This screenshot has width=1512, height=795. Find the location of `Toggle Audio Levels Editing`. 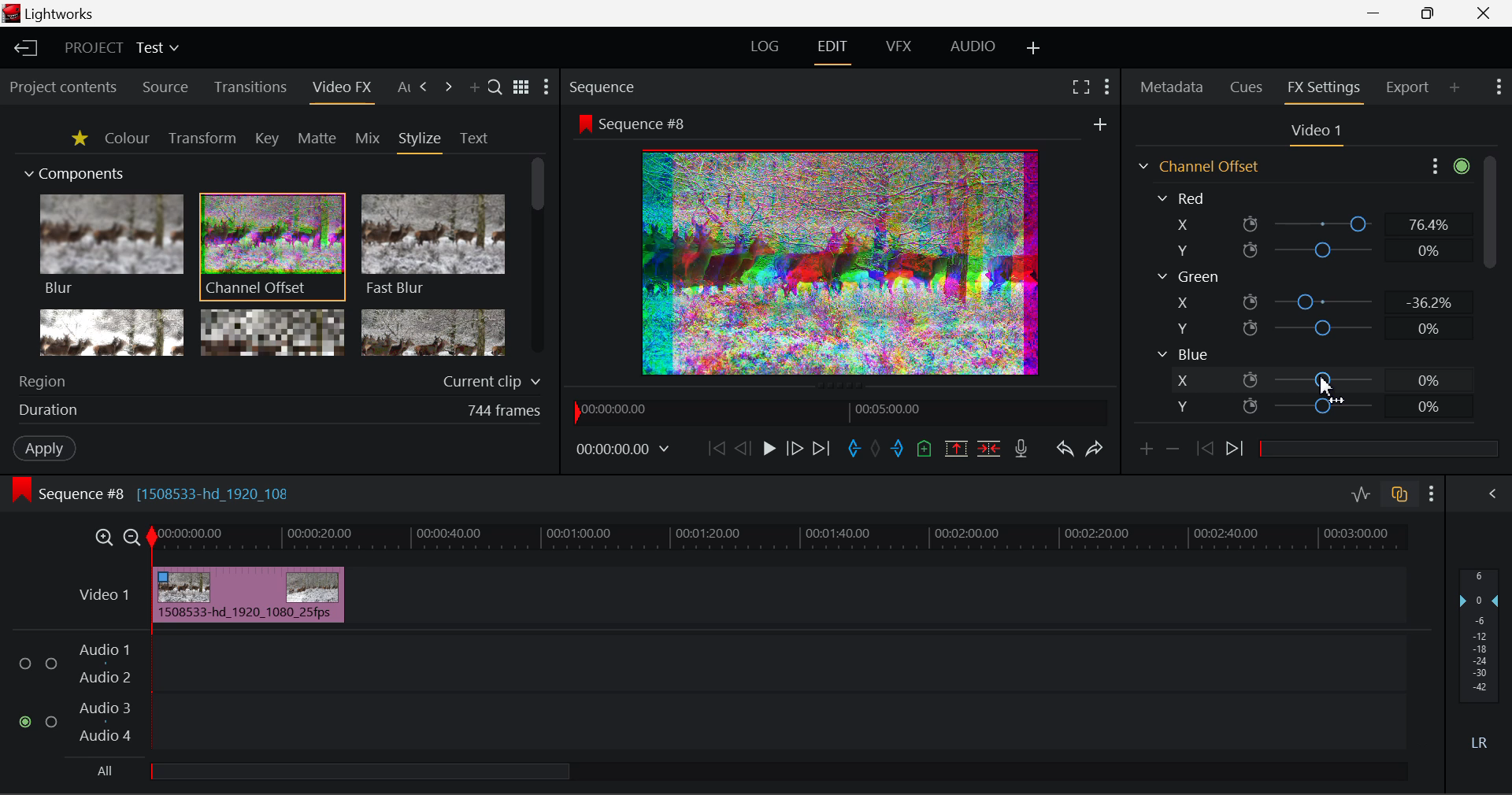

Toggle Audio Levels Editing is located at coordinates (1362, 495).